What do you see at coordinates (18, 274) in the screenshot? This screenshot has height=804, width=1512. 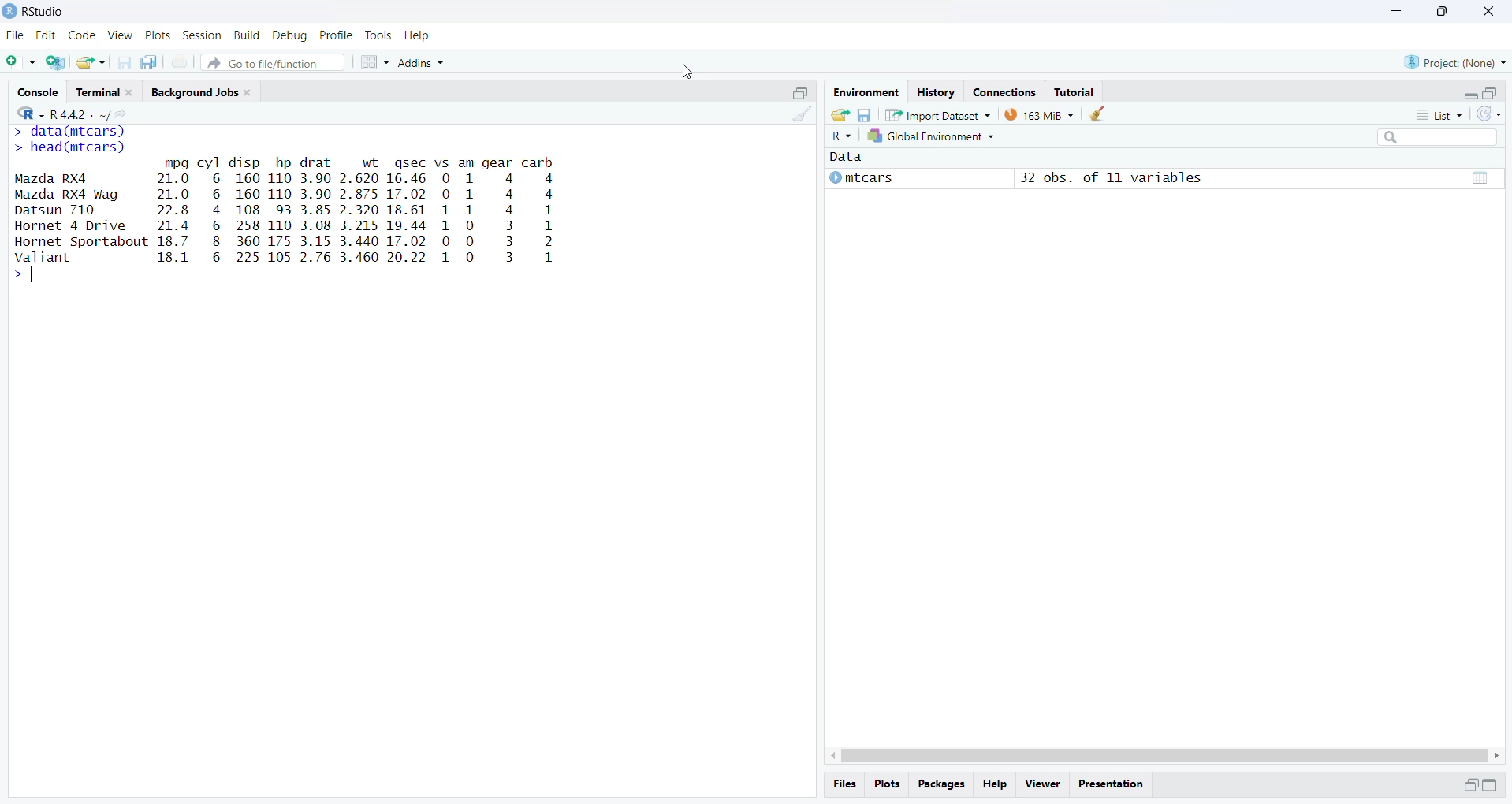 I see `>` at bounding box center [18, 274].